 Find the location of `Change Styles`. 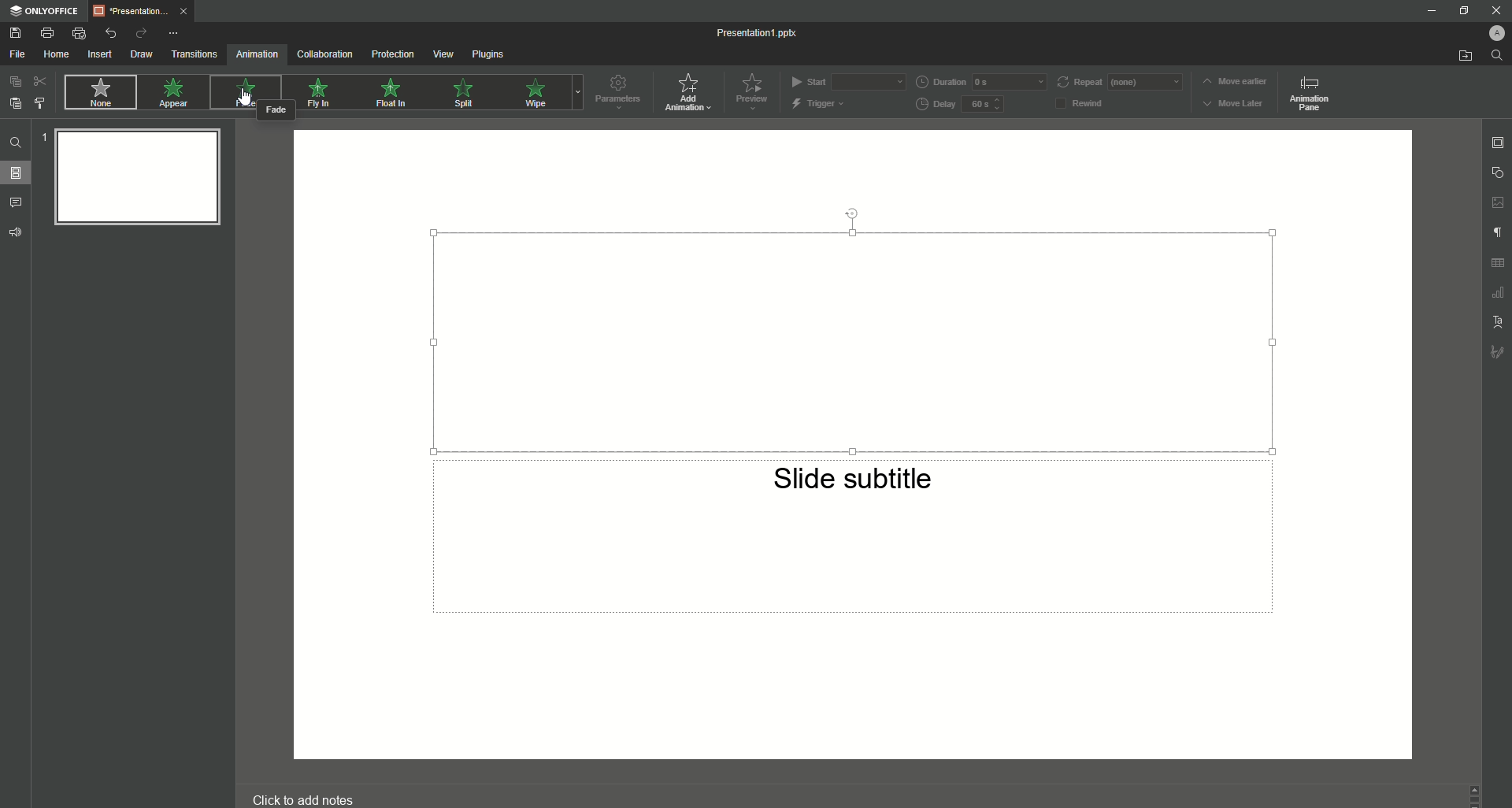

Change Styles is located at coordinates (39, 103).